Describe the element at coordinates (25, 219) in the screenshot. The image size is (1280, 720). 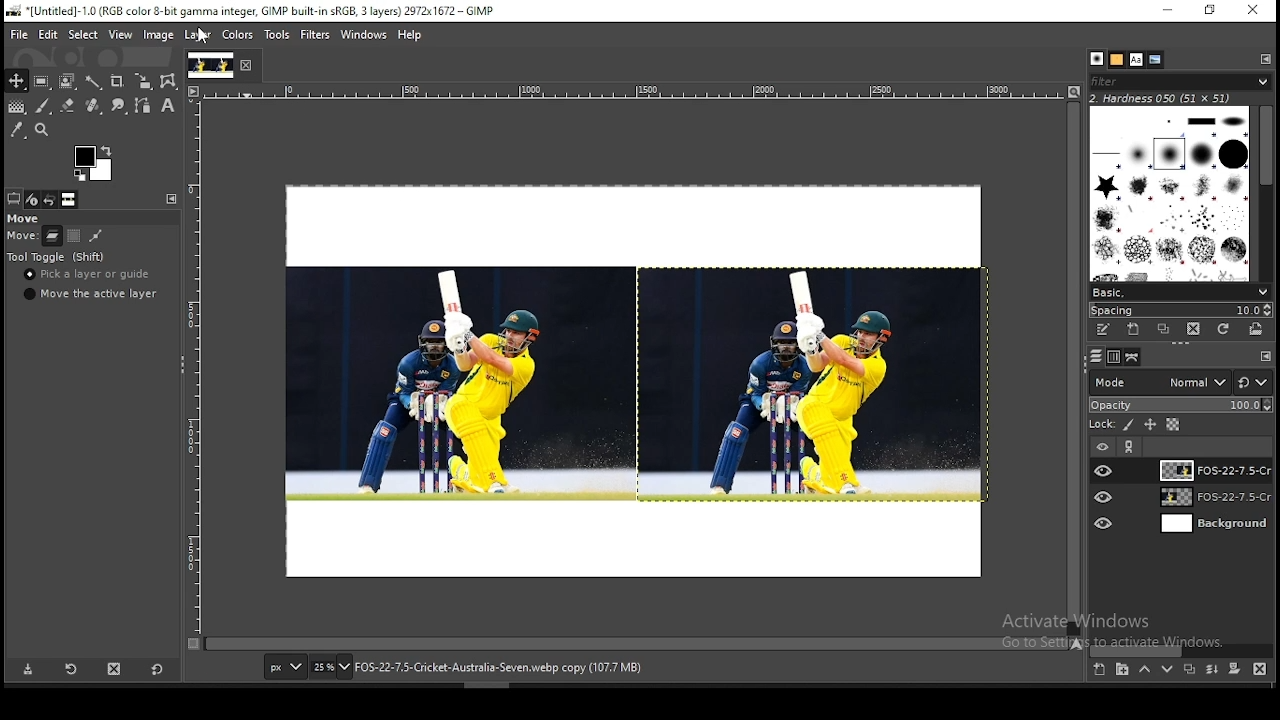
I see `move` at that location.